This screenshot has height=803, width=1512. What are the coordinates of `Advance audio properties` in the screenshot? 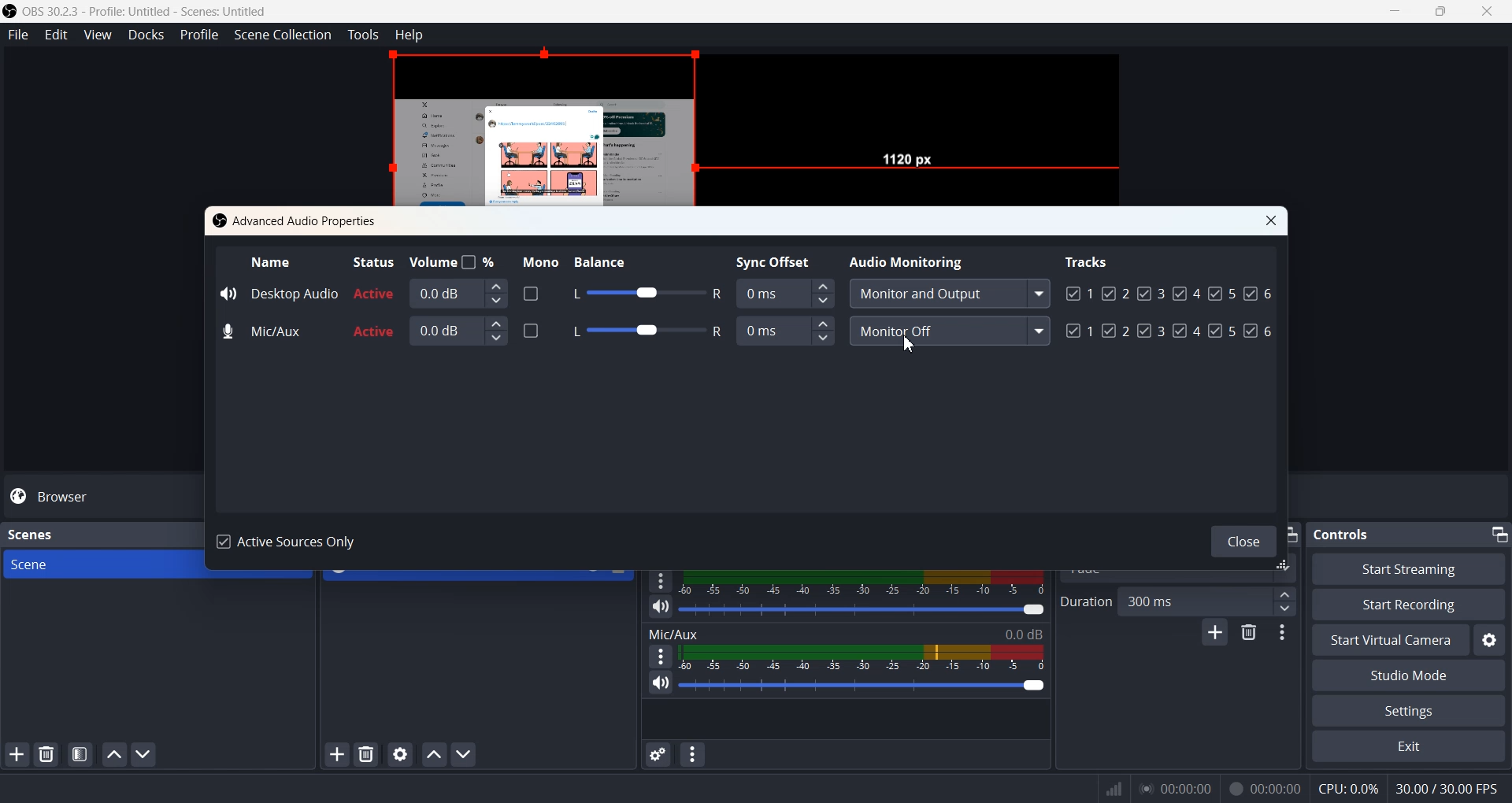 It's located at (656, 754).